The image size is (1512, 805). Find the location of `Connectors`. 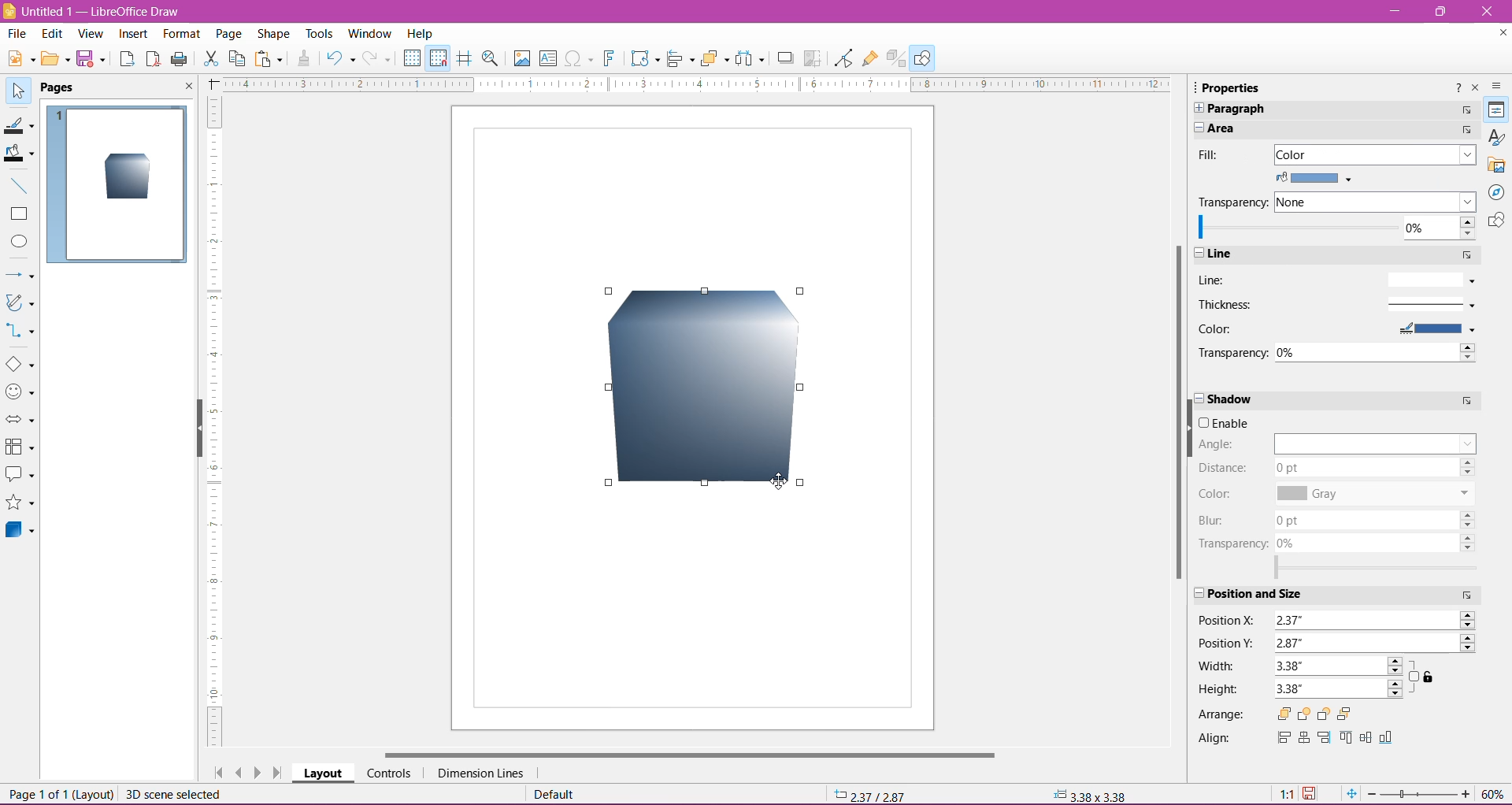

Connectors is located at coordinates (21, 332).